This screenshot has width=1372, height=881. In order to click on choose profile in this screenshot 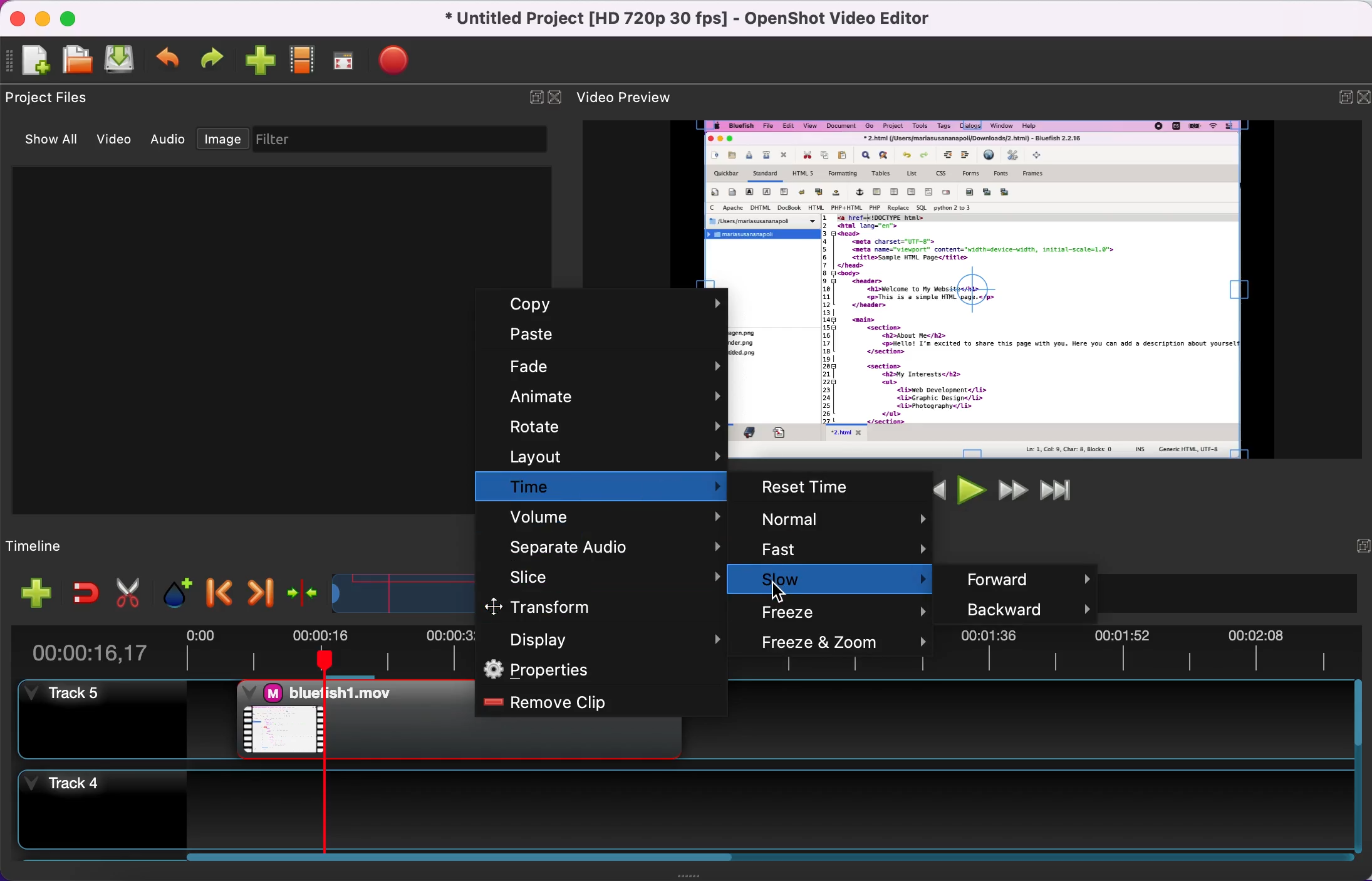, I will do `click(304, 60)`.